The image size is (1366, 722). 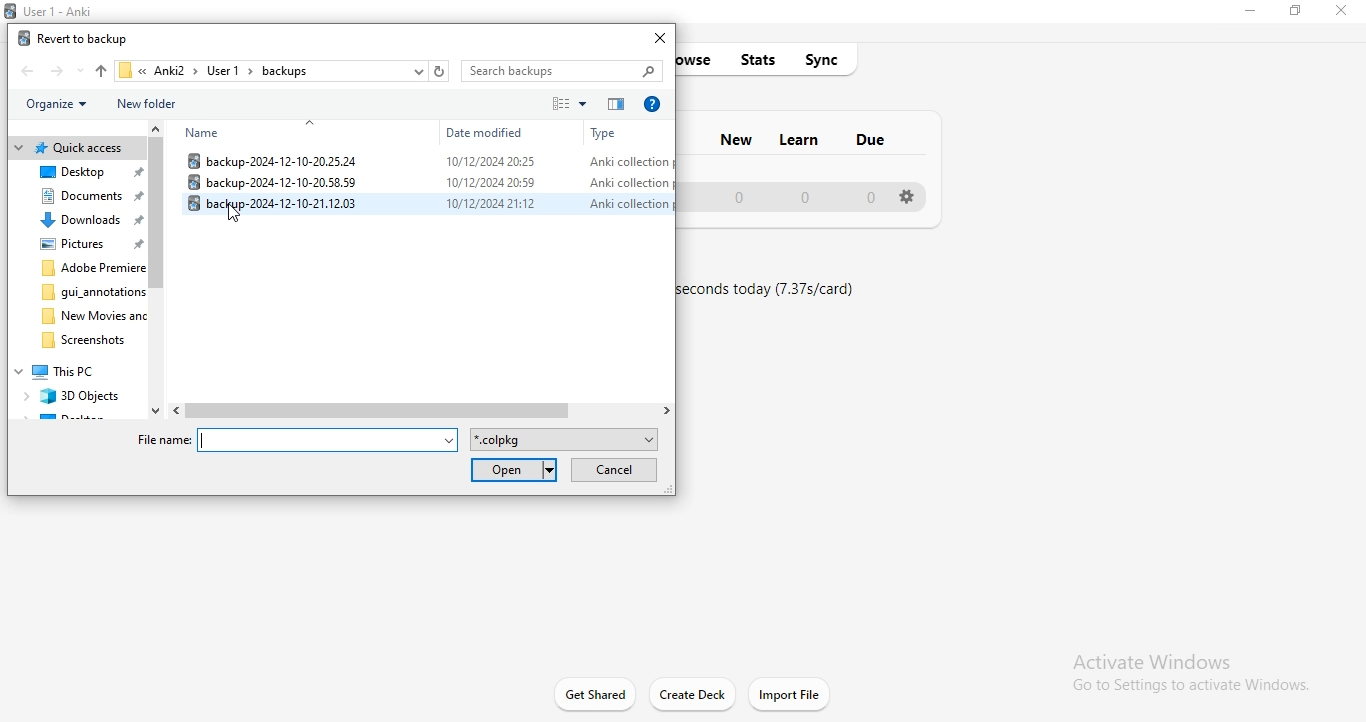 What do you see at coordinates (614, 470) in the screenshot?
I see `cancel` at bounding box center [614, 470].